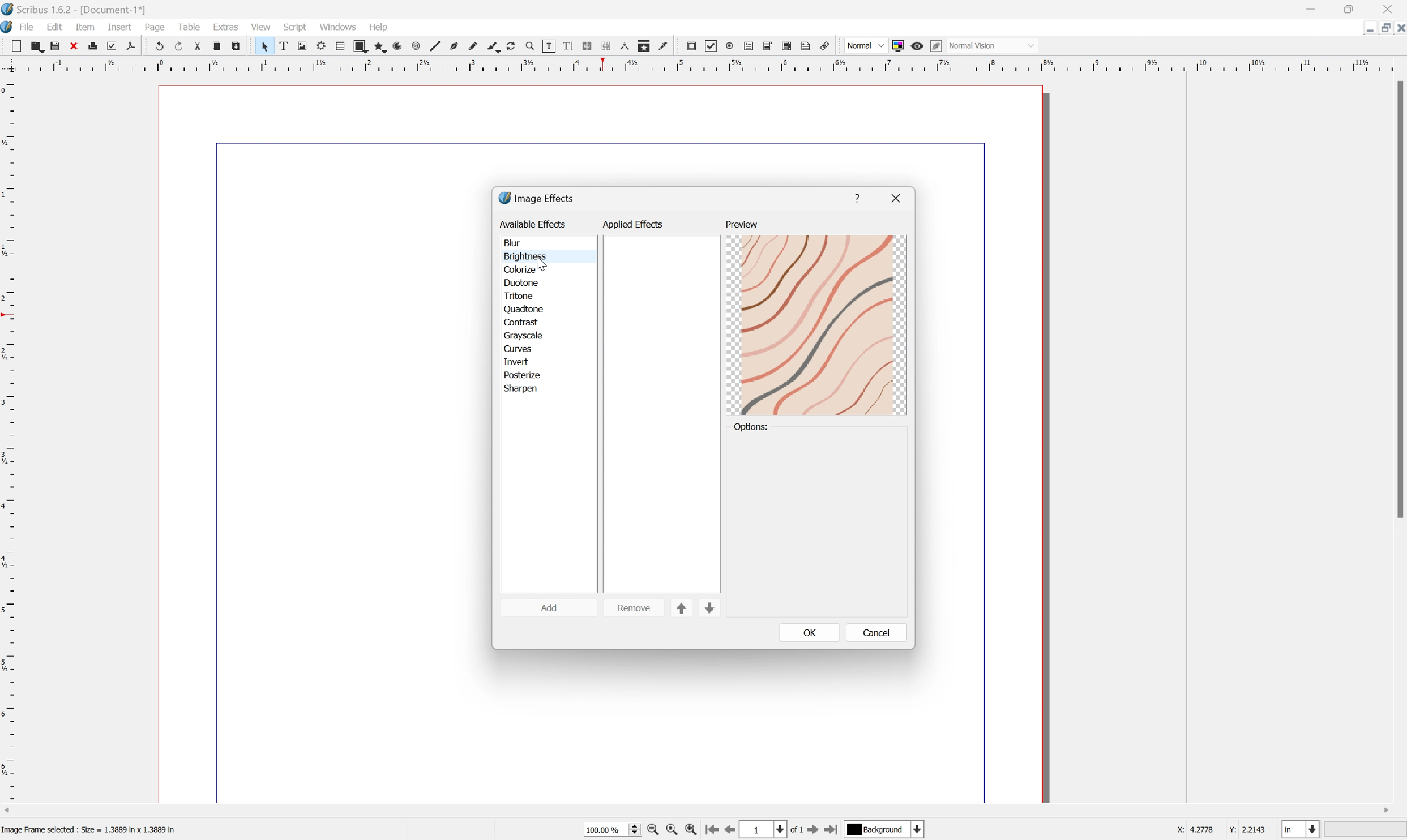  I want to click on available effects, so click(534, 224).